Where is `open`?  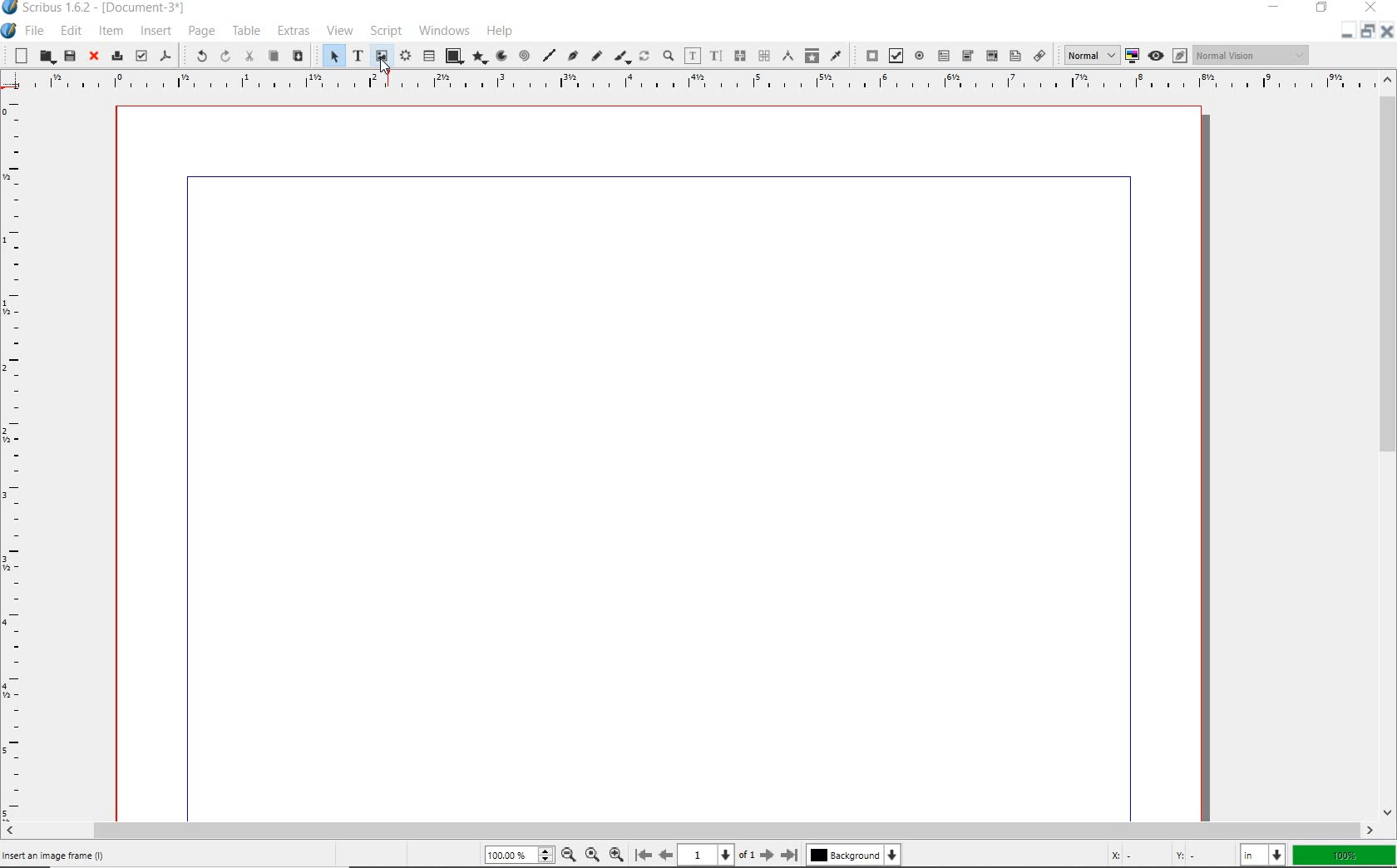 open is located at coordinates (47, 57).